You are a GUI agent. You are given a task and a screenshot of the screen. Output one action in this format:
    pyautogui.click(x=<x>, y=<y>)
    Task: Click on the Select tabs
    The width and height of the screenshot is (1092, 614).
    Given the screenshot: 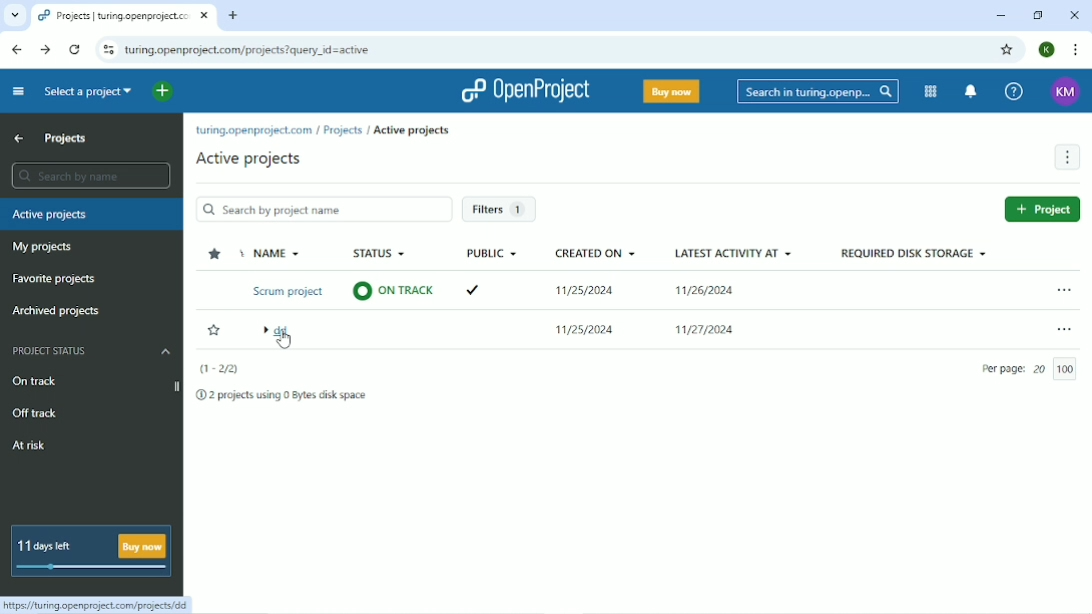 What is the action you would take?
    pyautogui.click(x=14, y=15)
    